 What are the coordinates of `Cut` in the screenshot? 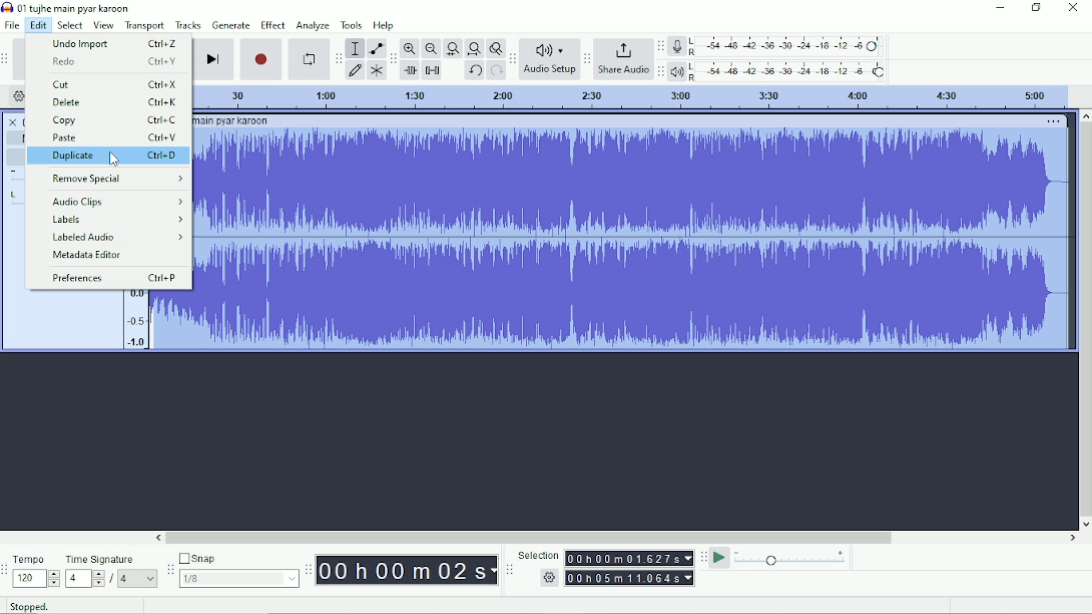 It's located at (113, 84).